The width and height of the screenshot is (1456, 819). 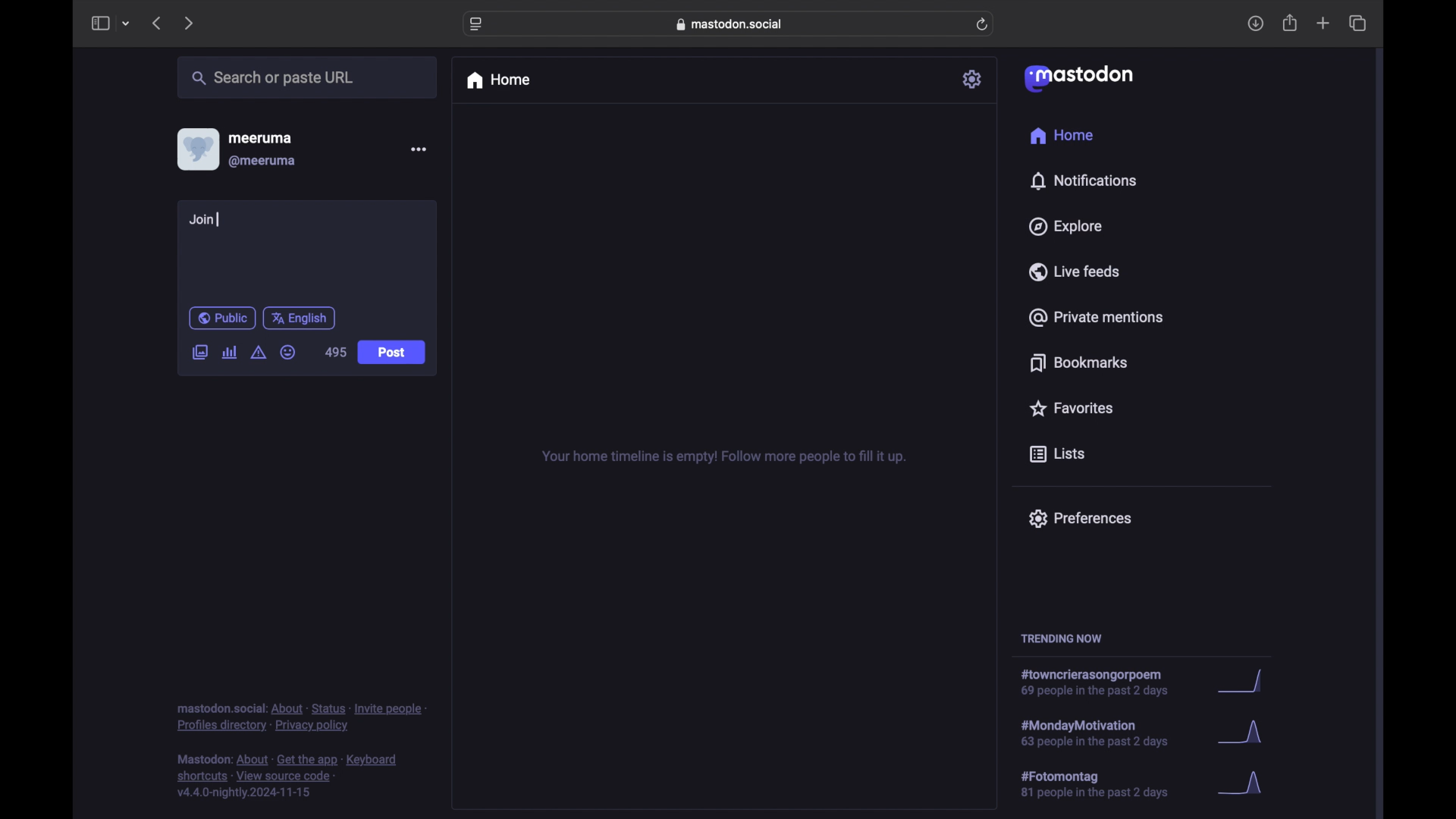 I want to click on web address, so click(x=733, y=24).